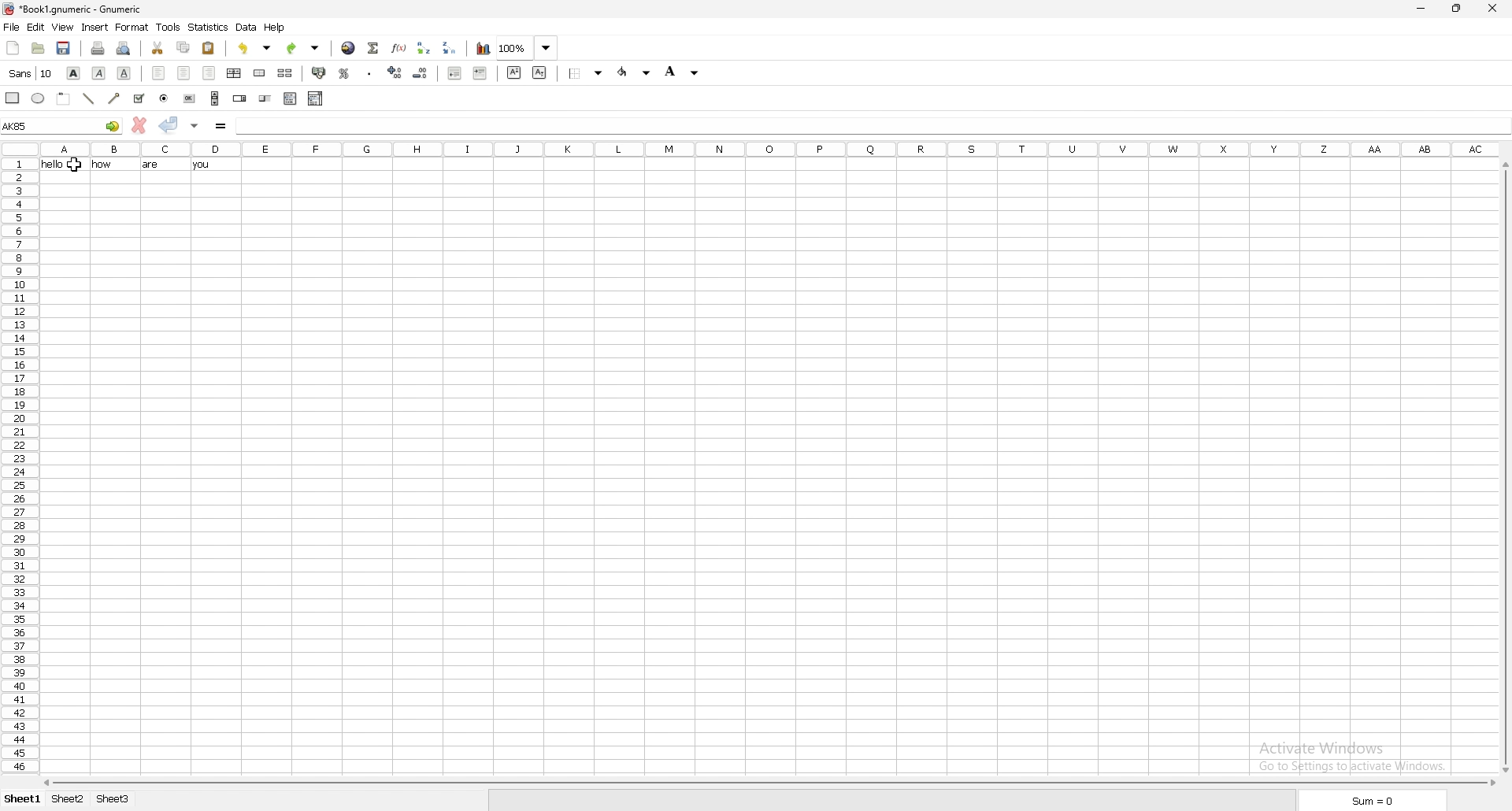 The width and height of the screenshot is (1512, 811). What do you see at coordinates (183, 47) in the screenshot?
I see `copy` at bounding box center [183, 47].